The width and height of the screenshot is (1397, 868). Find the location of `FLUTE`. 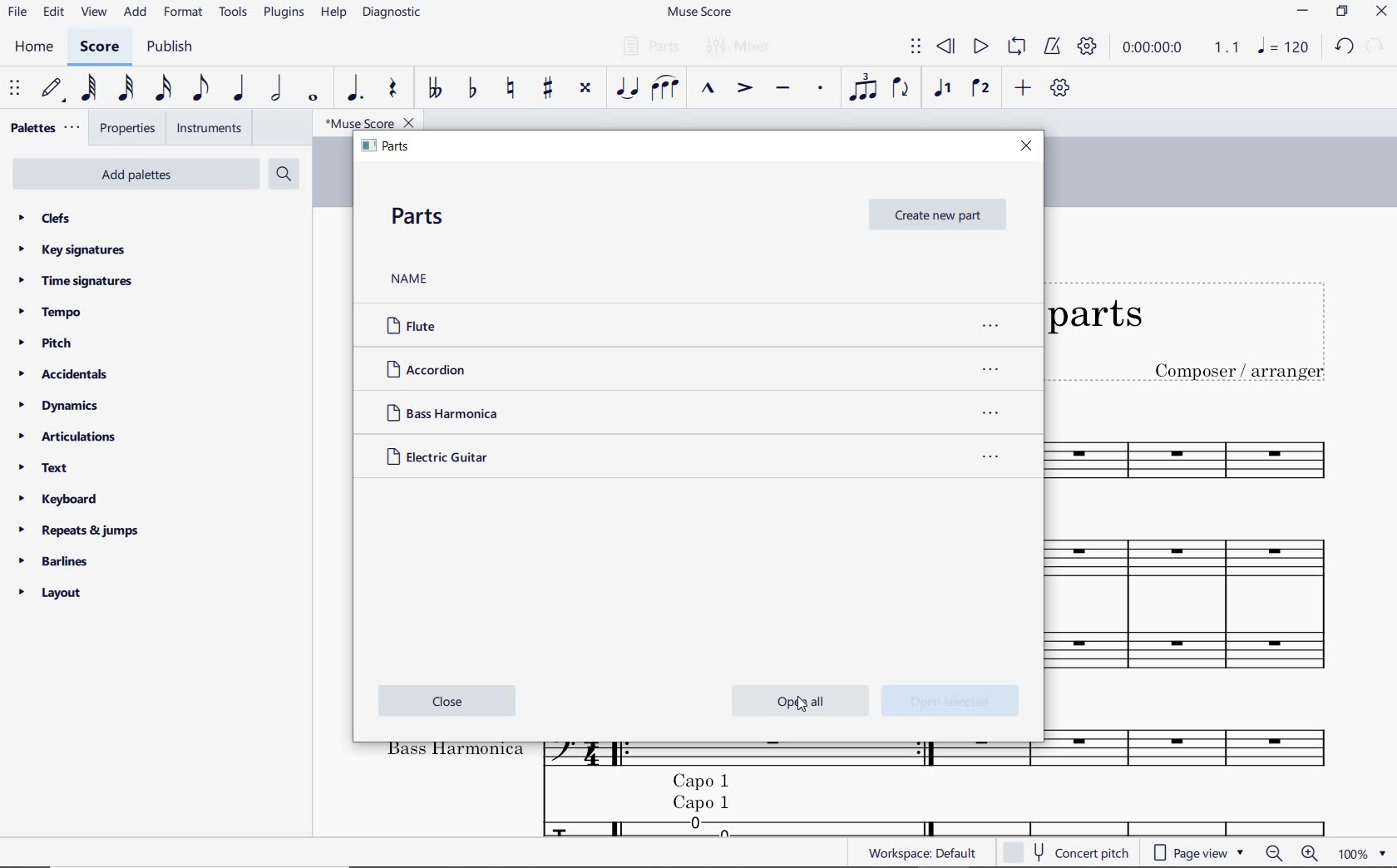

FLUTE is located at coordinates (704, 327).